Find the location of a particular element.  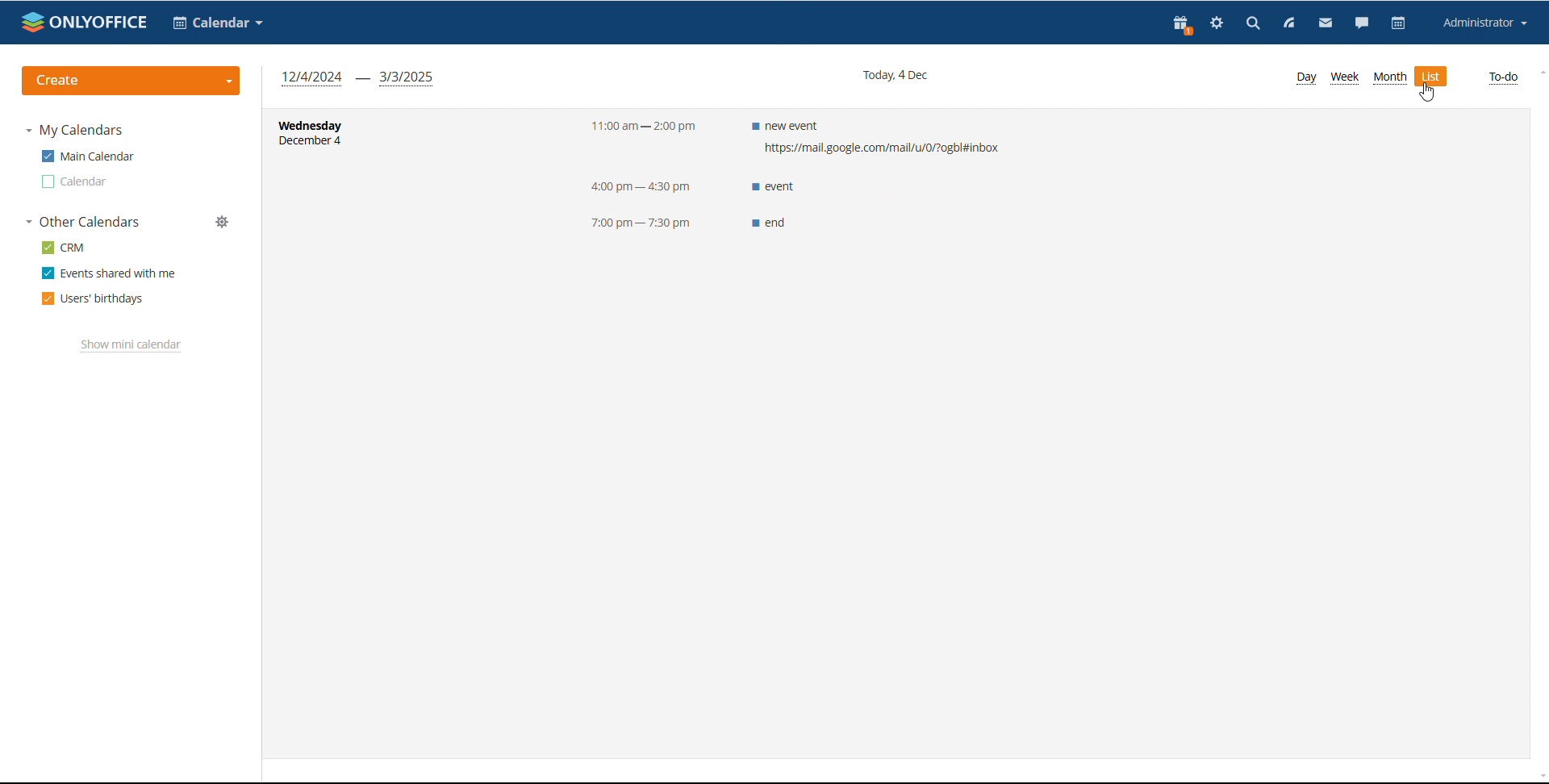

settings is located at coordinates (1214, 25).